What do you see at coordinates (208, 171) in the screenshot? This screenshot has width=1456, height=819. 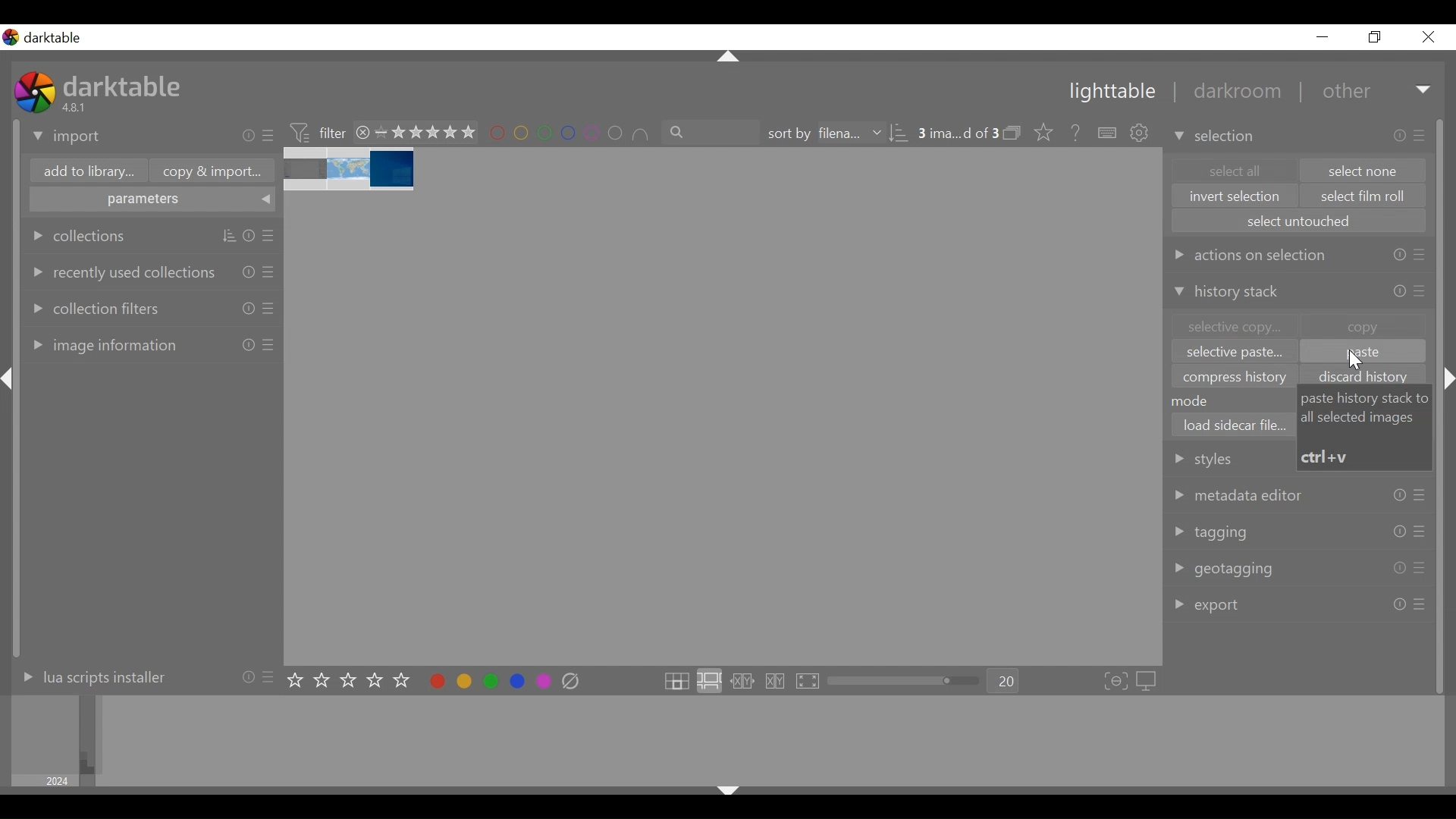 I see `copy & import` at bounding box center [208, 171].